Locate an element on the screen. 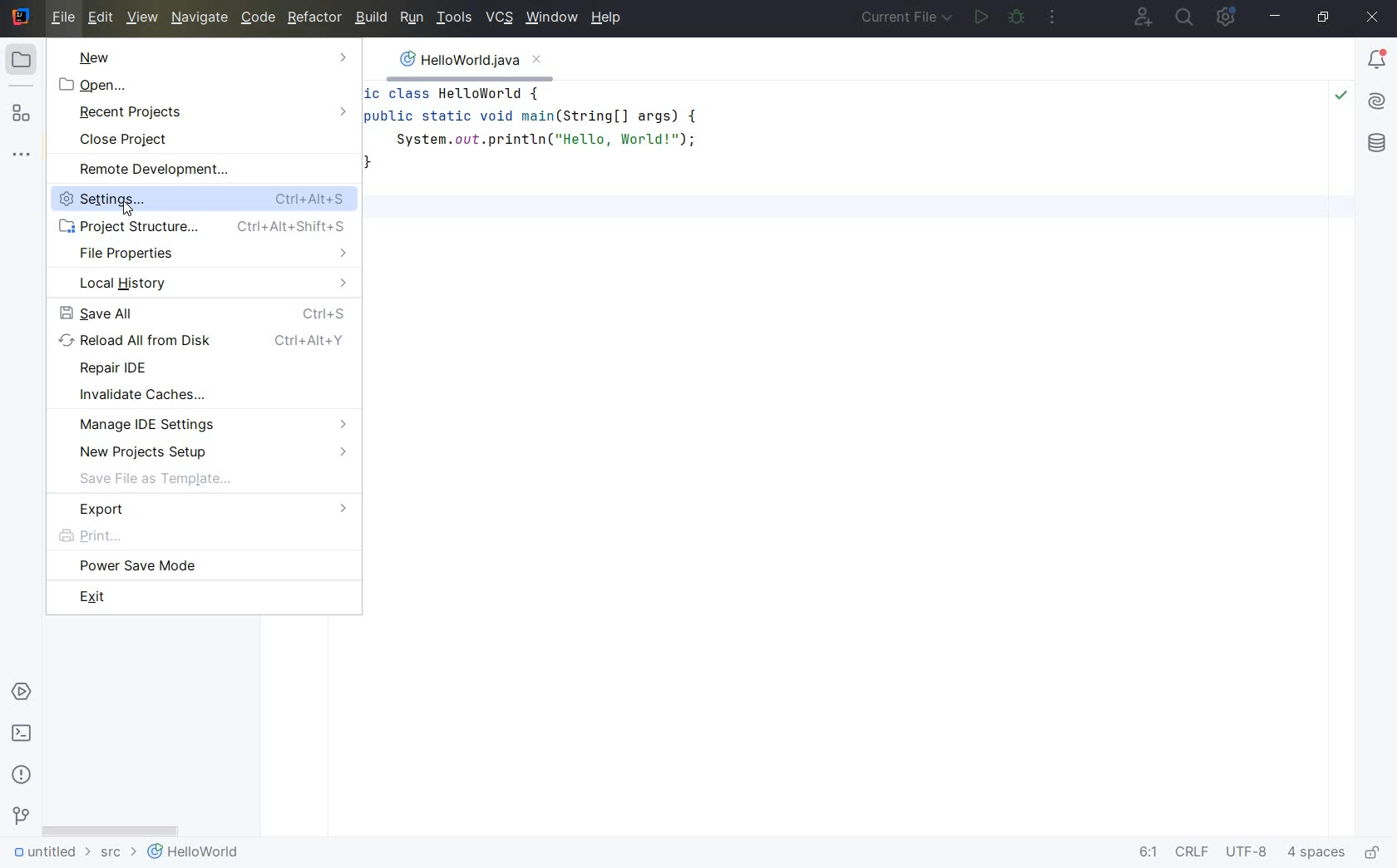 This screenshot has height=868, width=1397. untitled is located at coordinates (48, 855).